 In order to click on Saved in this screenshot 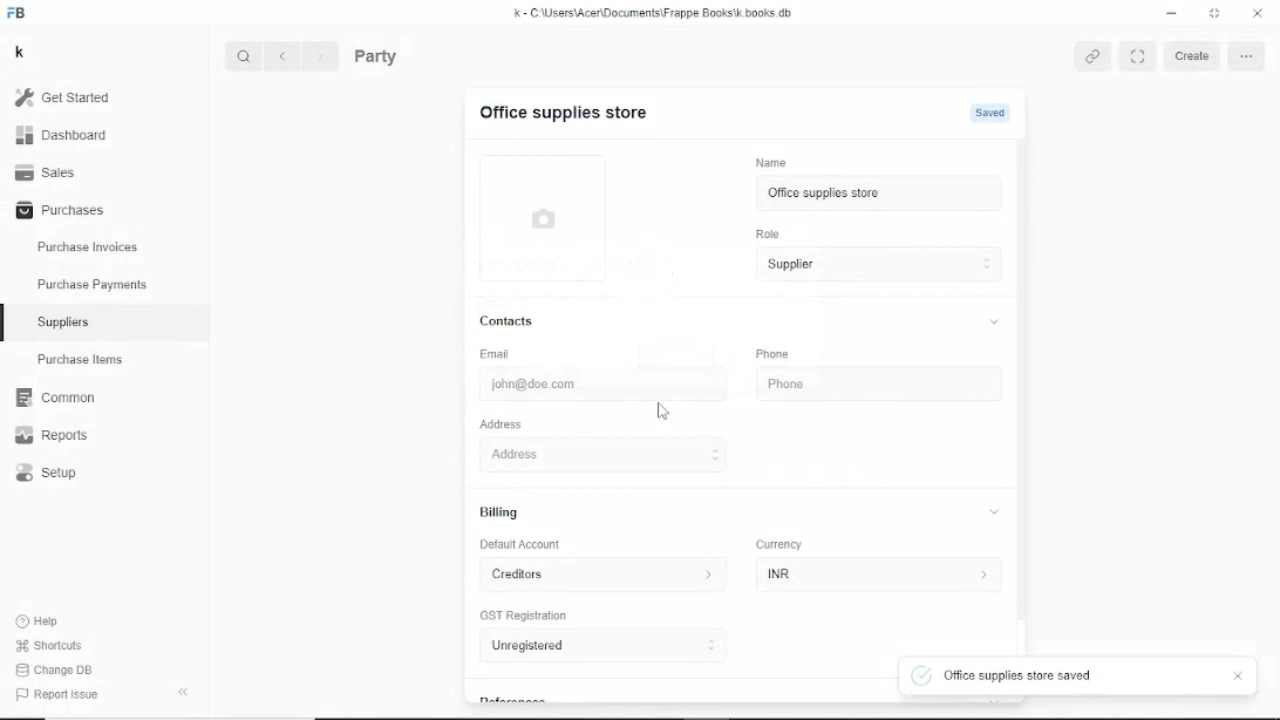, I will do `click(993, 114)`.